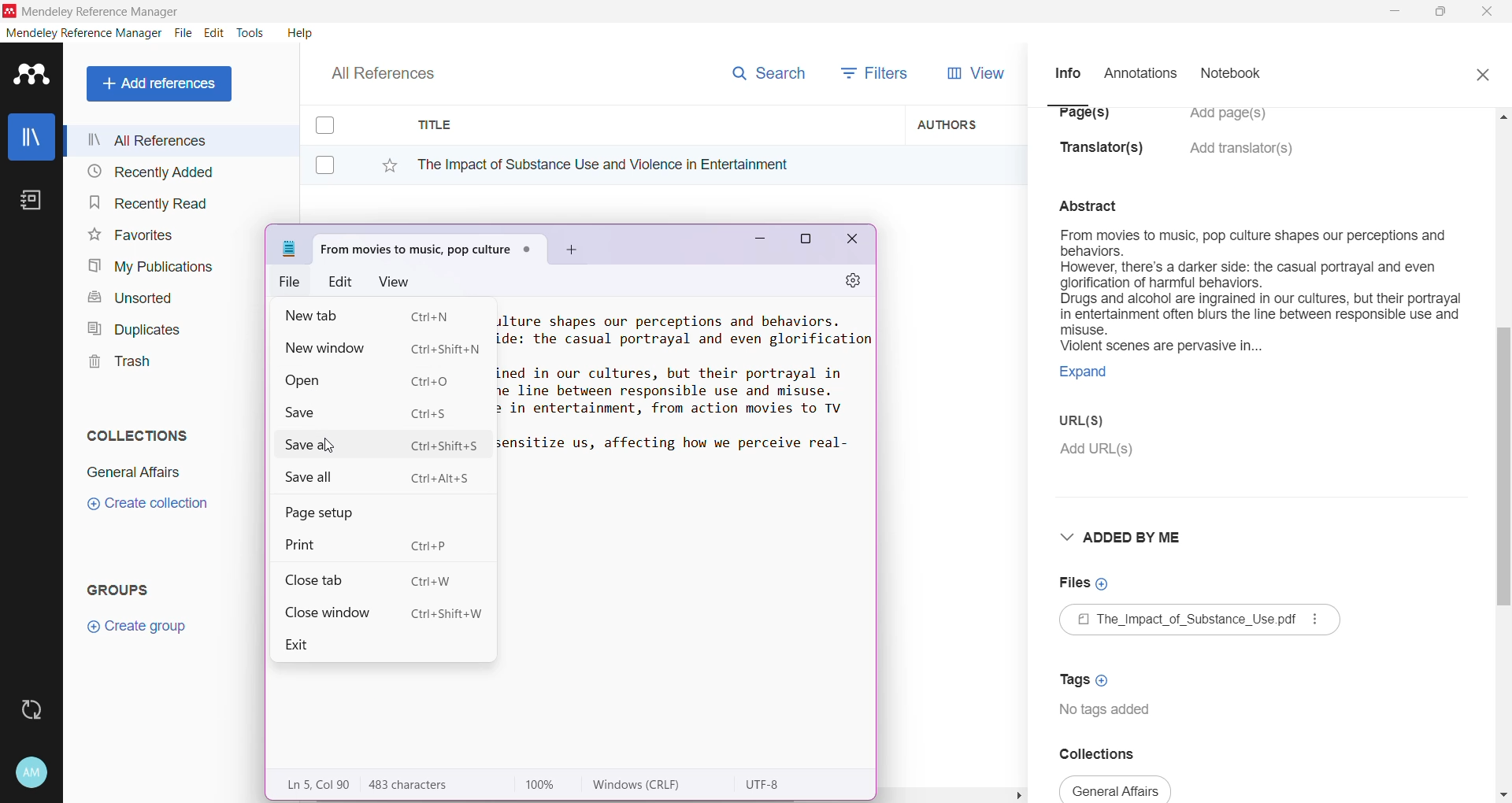 The height and width of the screenshot is (803, 1512). Describe the element at coordinates (317, 784) in the screenshot. I see `Line, Column of the pasted text area on the Notepad` at that location.